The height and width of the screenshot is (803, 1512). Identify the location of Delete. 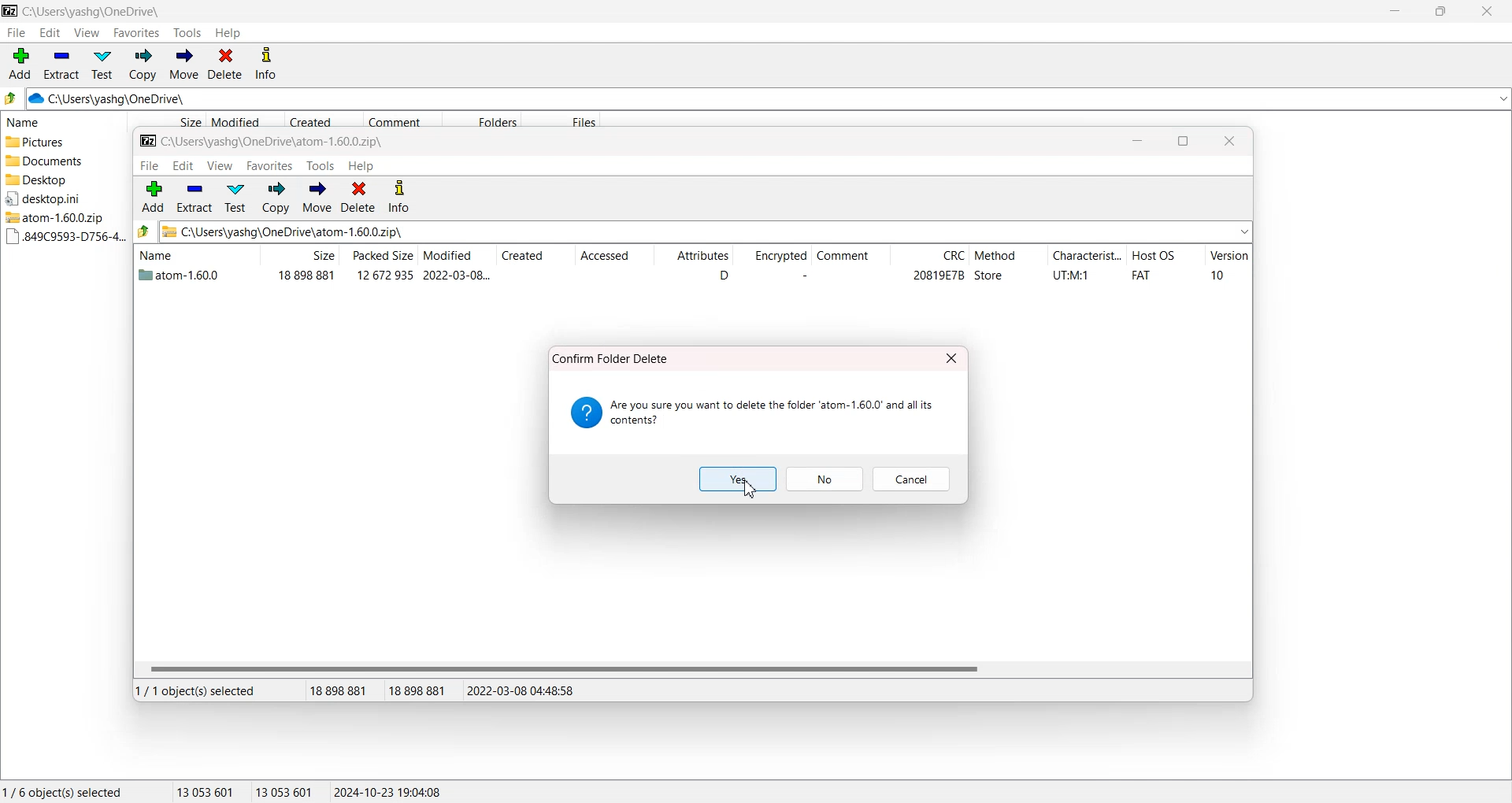
(225, 65).